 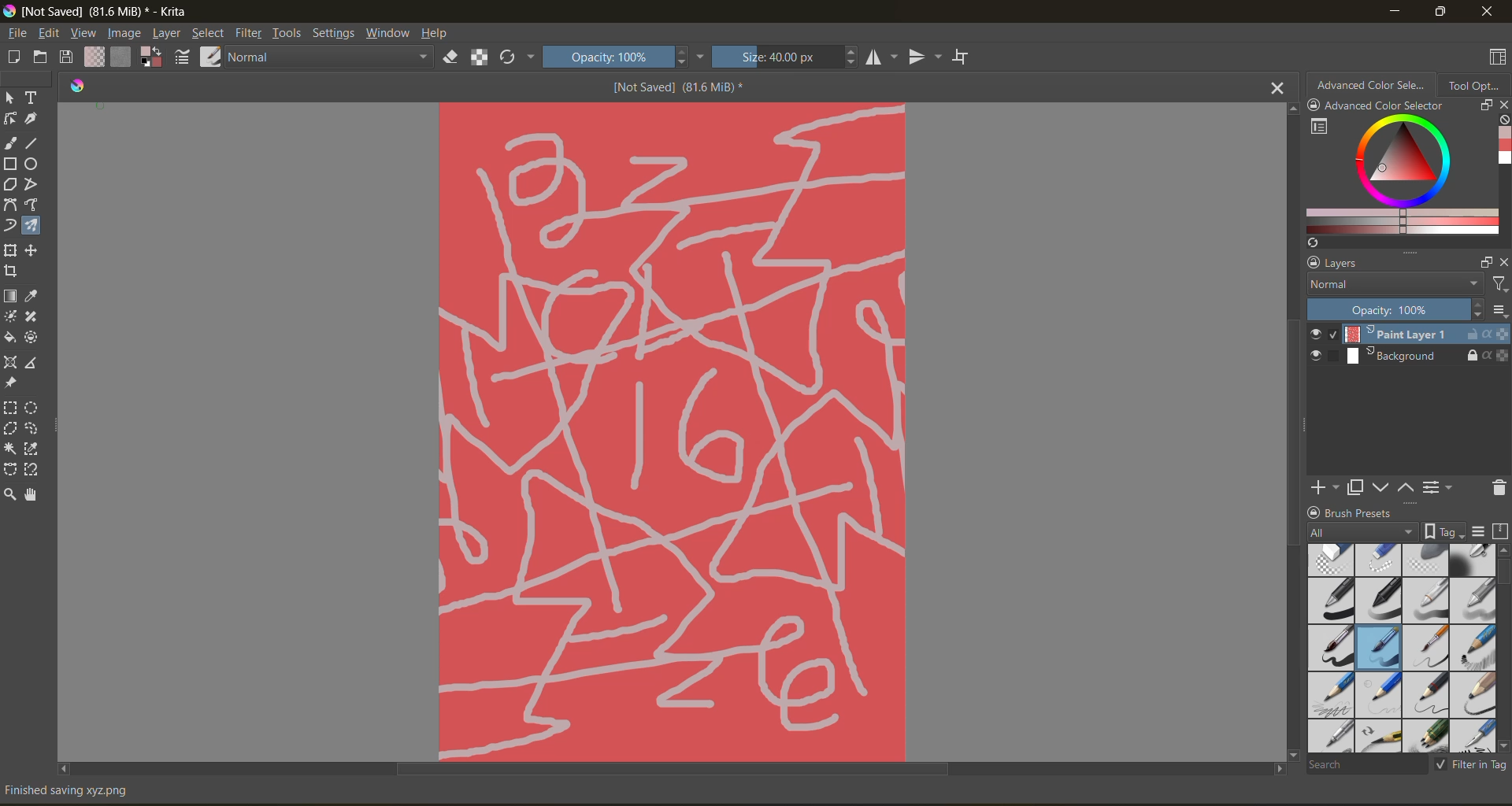 What do you see at coordinates (1316, 511) in the screenshot?
I see `lock/unlock docker` at bounding box center [1316, 511].